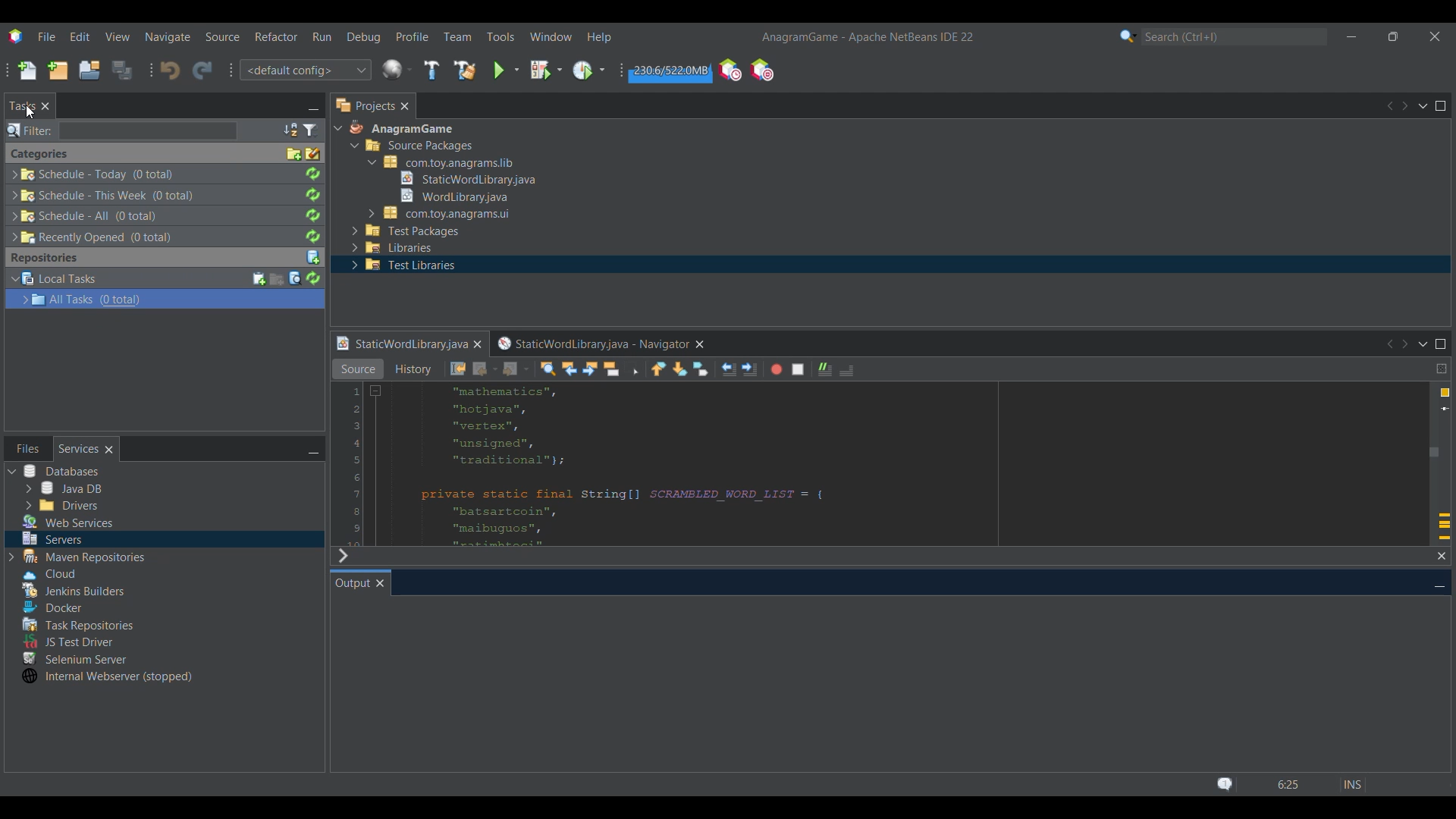 The width and height of the screenshot is (1456, 819). I want to click on Refresh respective task, so click(312, 206).